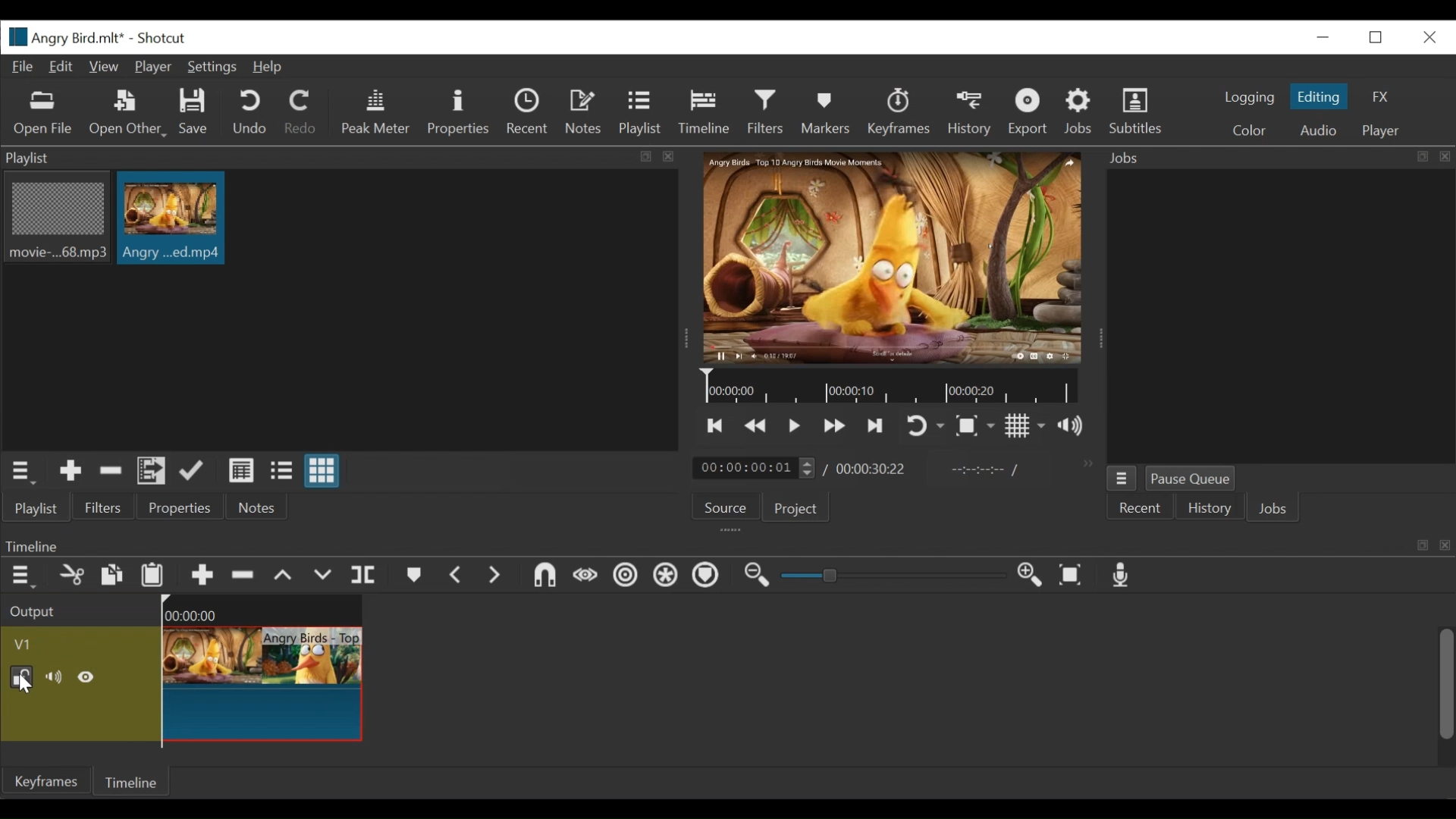 Image resolution: width=1456 pixels, height=819 pixels. Describe the element at coordinates (342, 158) in the screenshot. I see `Playlist panel` at that location.